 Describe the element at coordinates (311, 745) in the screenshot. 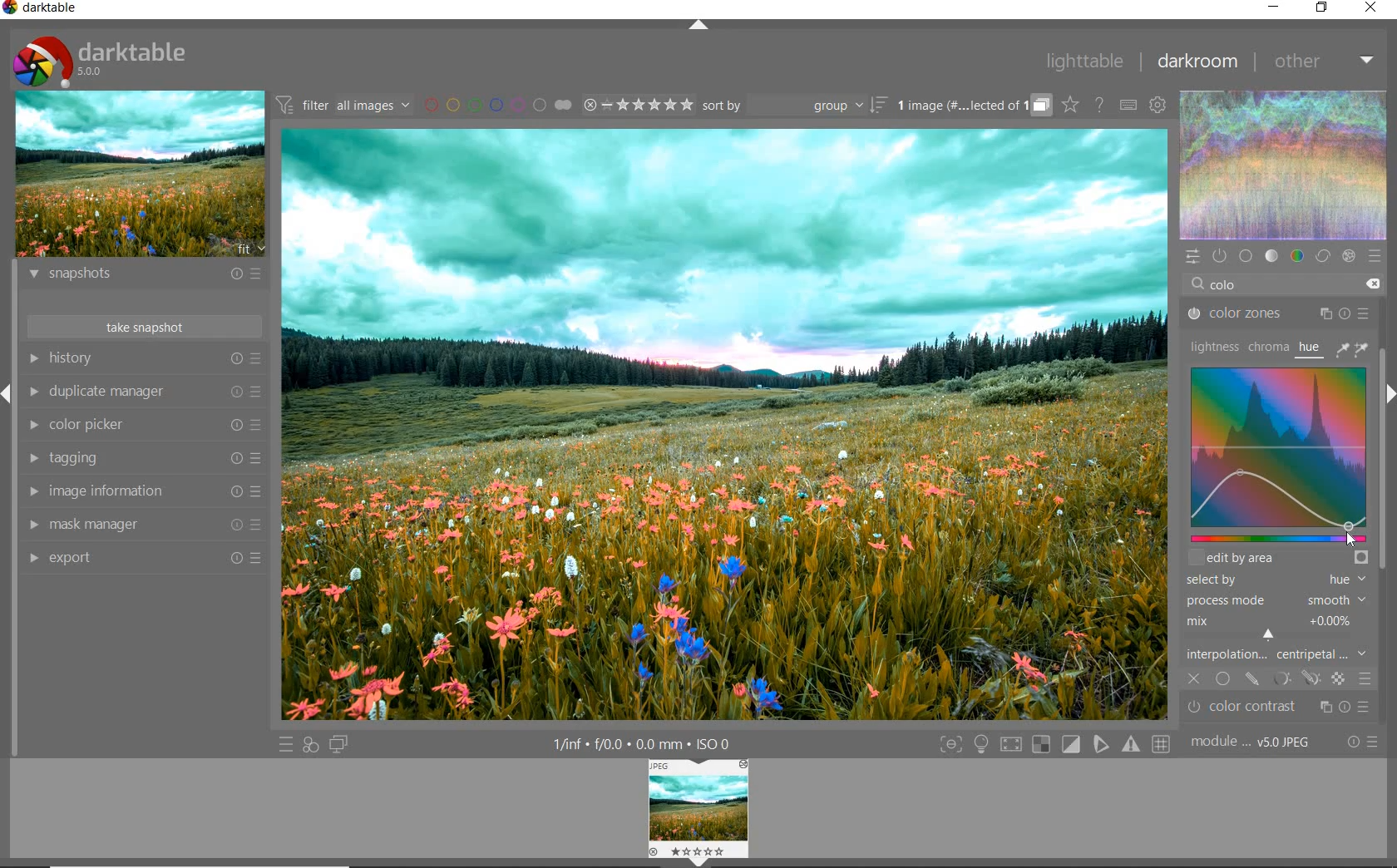

I see `quick access for applying any of your styles` at that location.